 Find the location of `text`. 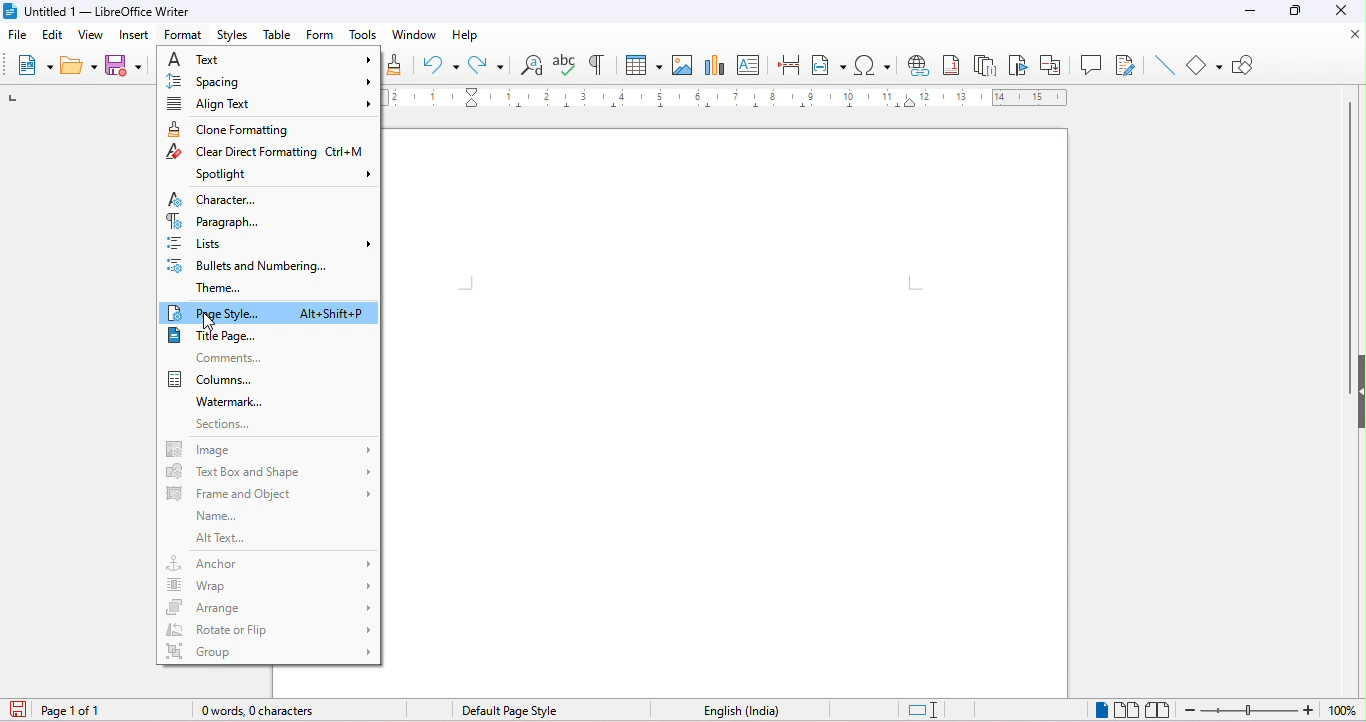

text is located at coordinates (274, 60).